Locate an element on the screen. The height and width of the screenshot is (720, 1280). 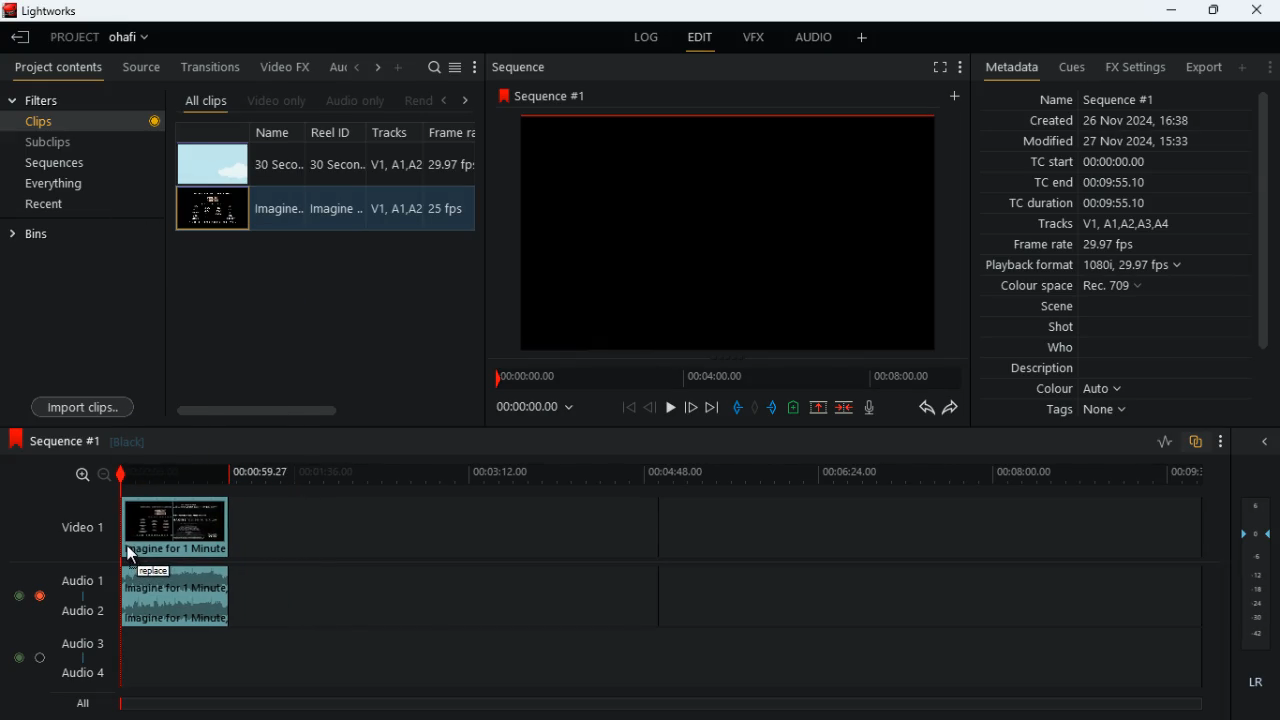
transitions is located at coordinates (213, 63).